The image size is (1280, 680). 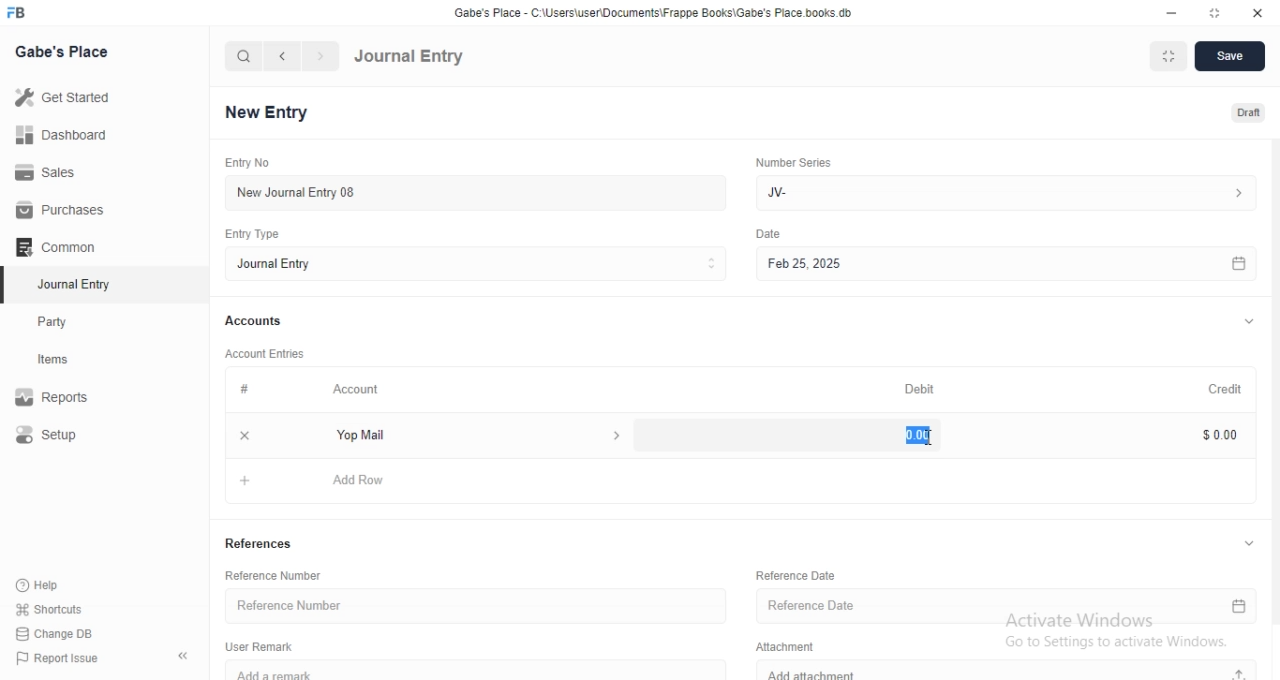 What do you see at coordinates (250, 234) in the screenshot?
I see `Entry Type` at bounding box center [250, 234].